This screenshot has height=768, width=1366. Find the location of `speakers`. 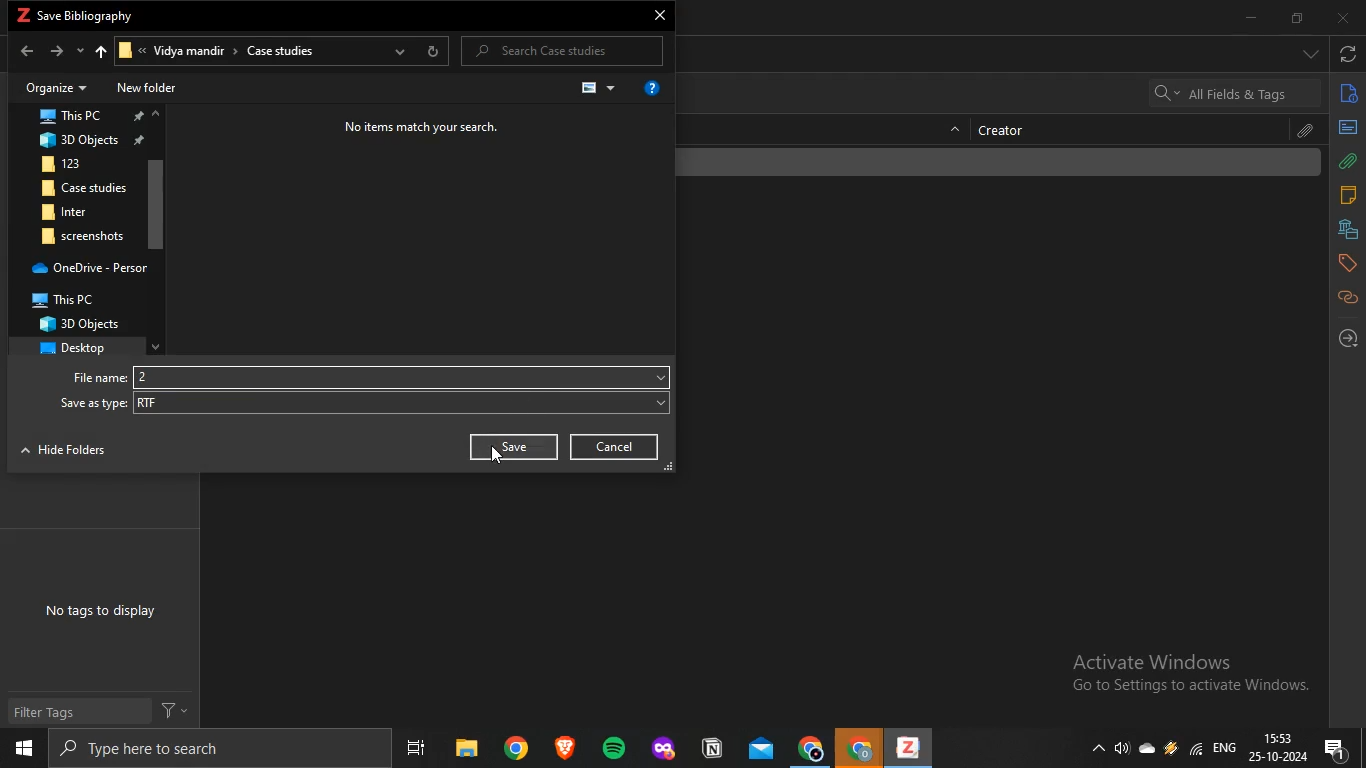

speakers is located at coordinates (1124, 749).